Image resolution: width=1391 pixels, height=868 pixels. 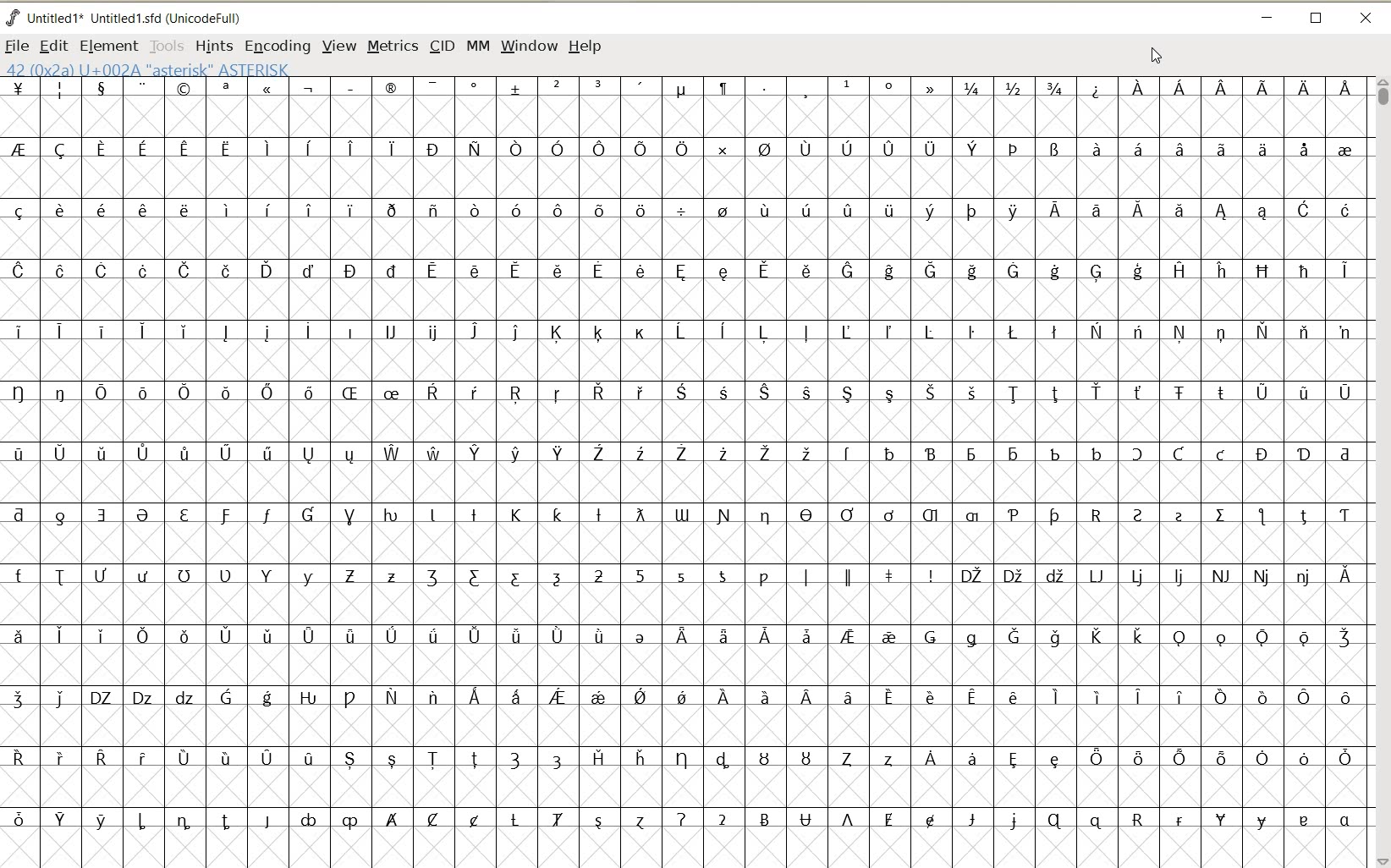 What do you see at coordinates (339, 47) in the screenshot?
I see `VIEW` at bounding box center [339, 47].